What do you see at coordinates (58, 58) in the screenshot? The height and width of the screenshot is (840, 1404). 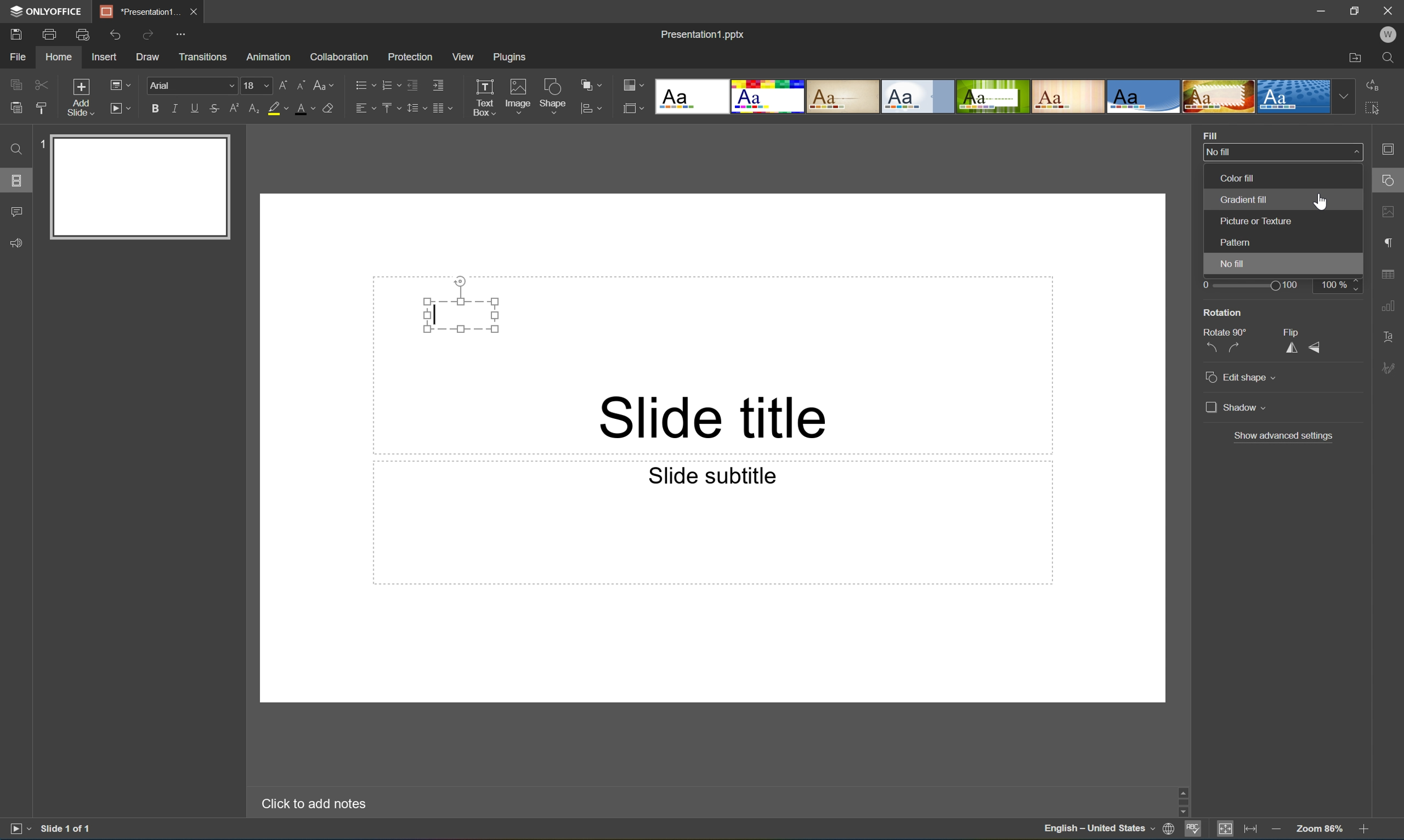 I see `Home` at bounding box center [58, 58].